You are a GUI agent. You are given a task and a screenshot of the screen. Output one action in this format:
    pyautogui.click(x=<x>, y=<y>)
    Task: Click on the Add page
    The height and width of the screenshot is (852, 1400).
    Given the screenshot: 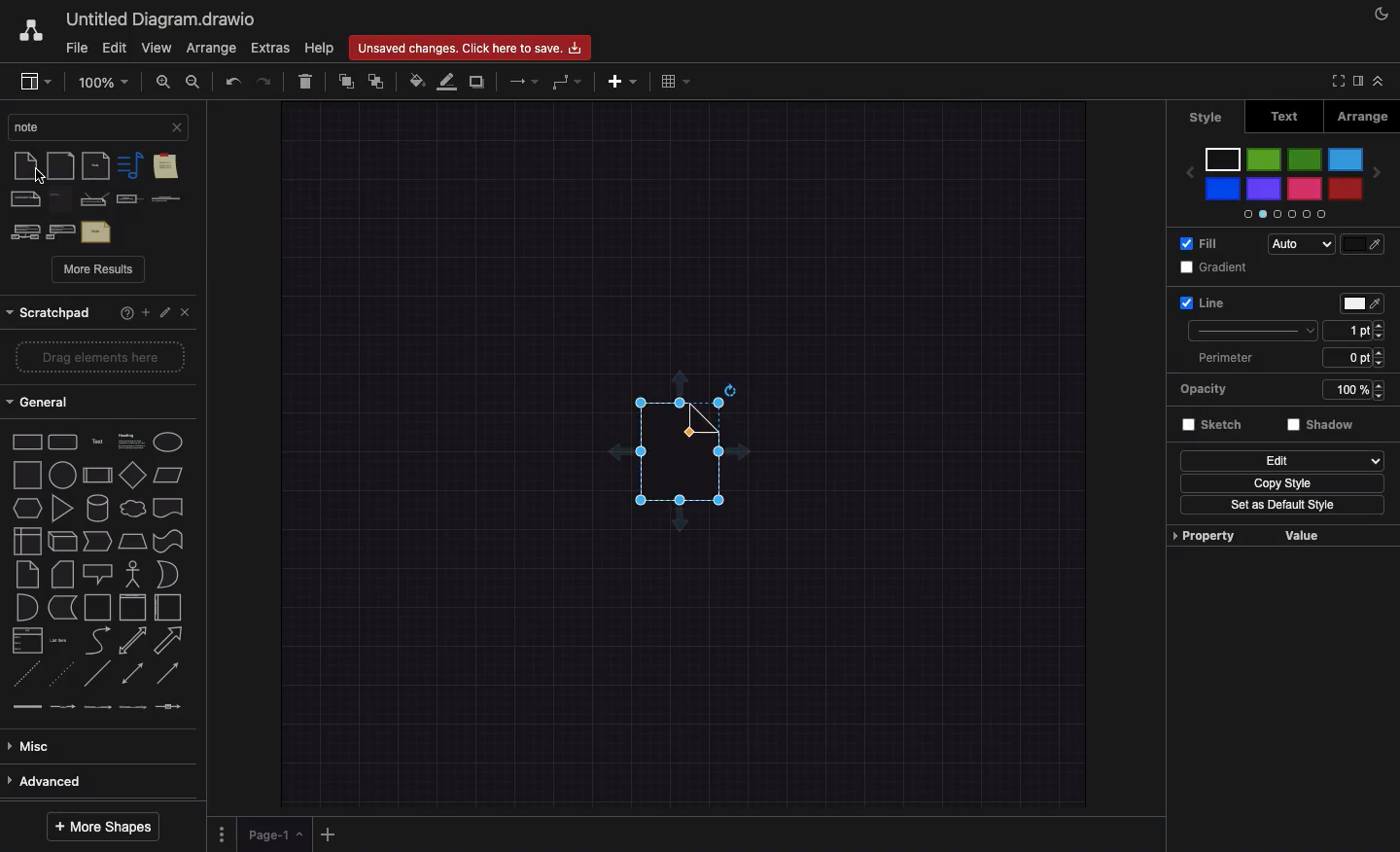 What is the action you would take?
    pyautogui.click(x=327, y=835)
    